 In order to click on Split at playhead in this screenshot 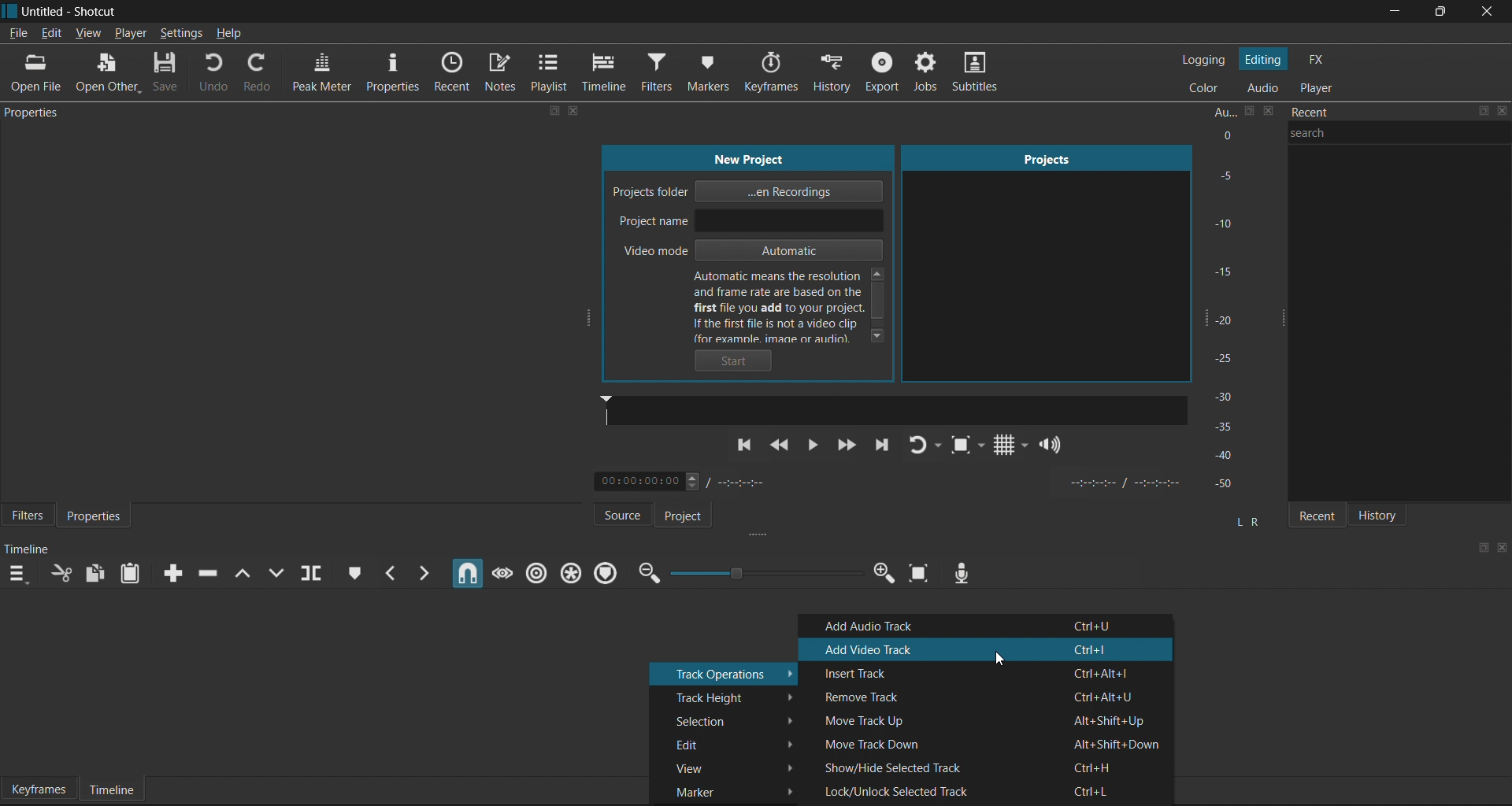, I will do `click(317, 575)`.